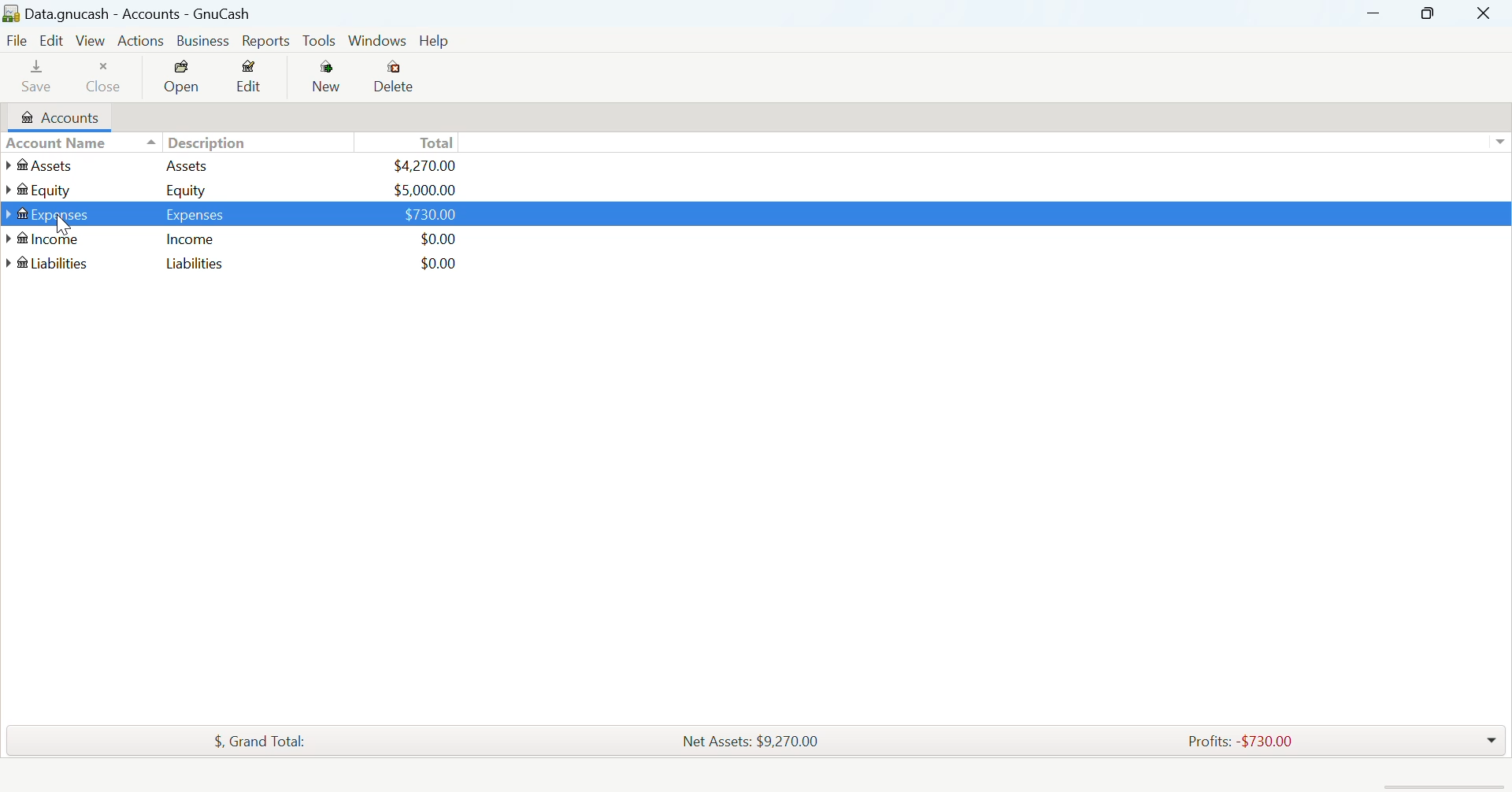 Image resolution: width=1512 pixels, height=792 pixels. Describe the element at coordinates (237, 190) in the screenshot. I see `Equity` at that location.